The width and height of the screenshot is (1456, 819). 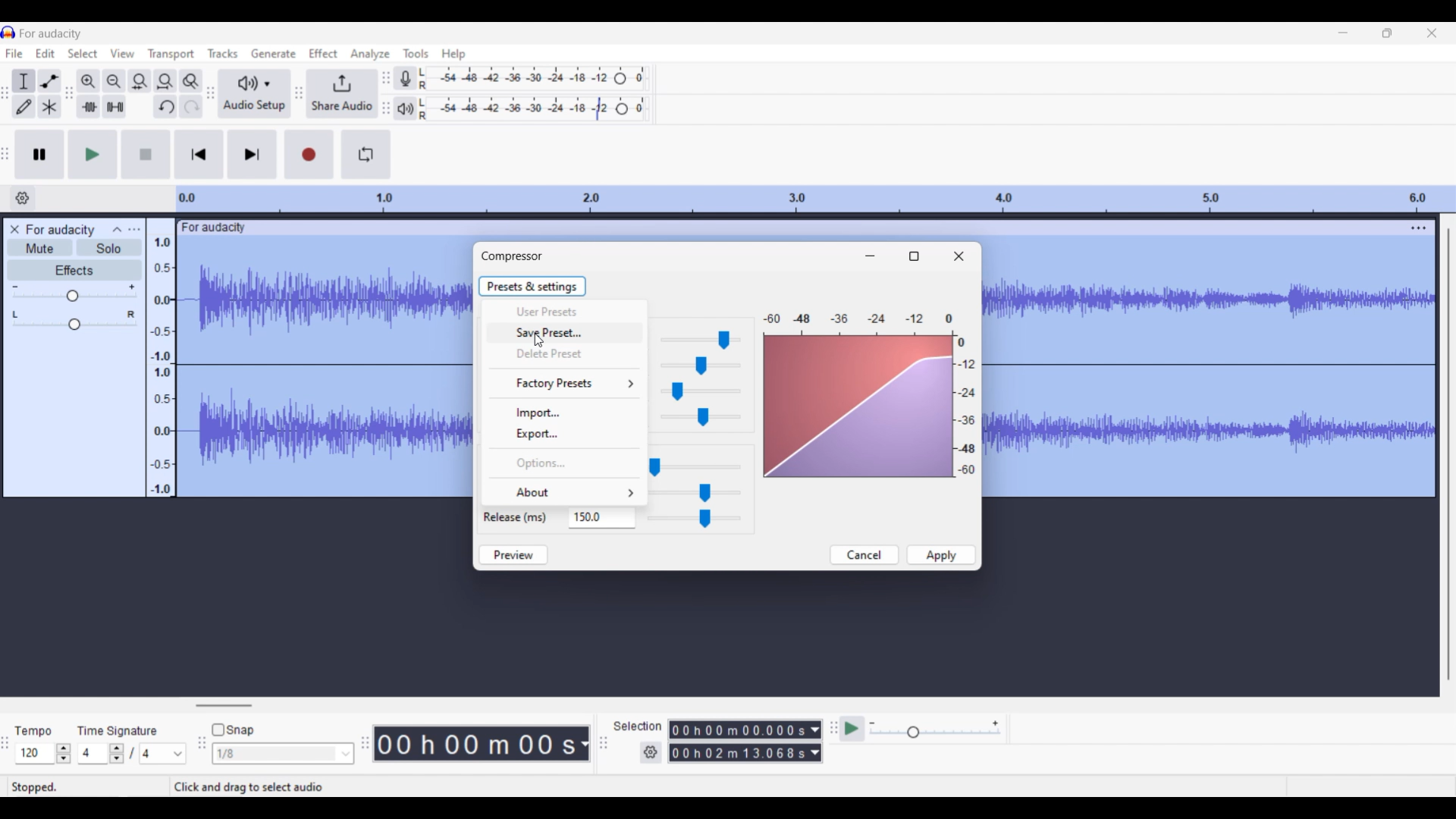 I want to click on Make up gain slider, so click(x=700, y=366).